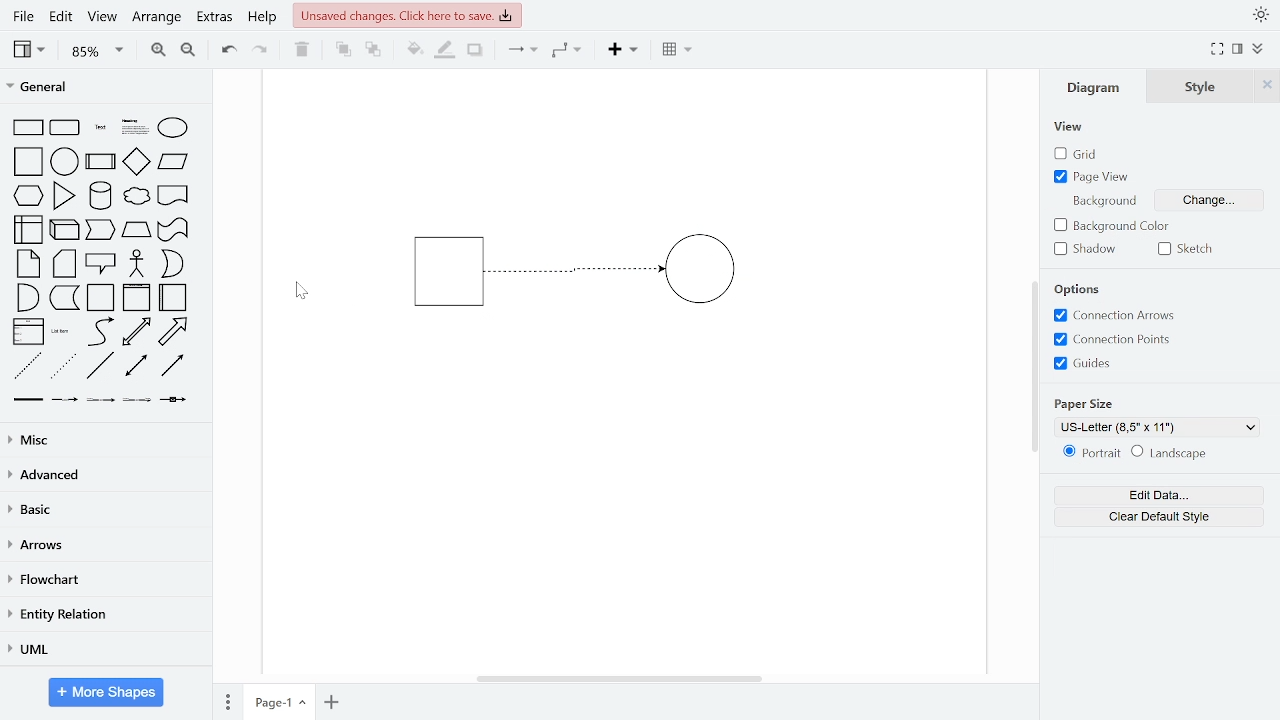  I want to click on internal storage, so click(30, 231).